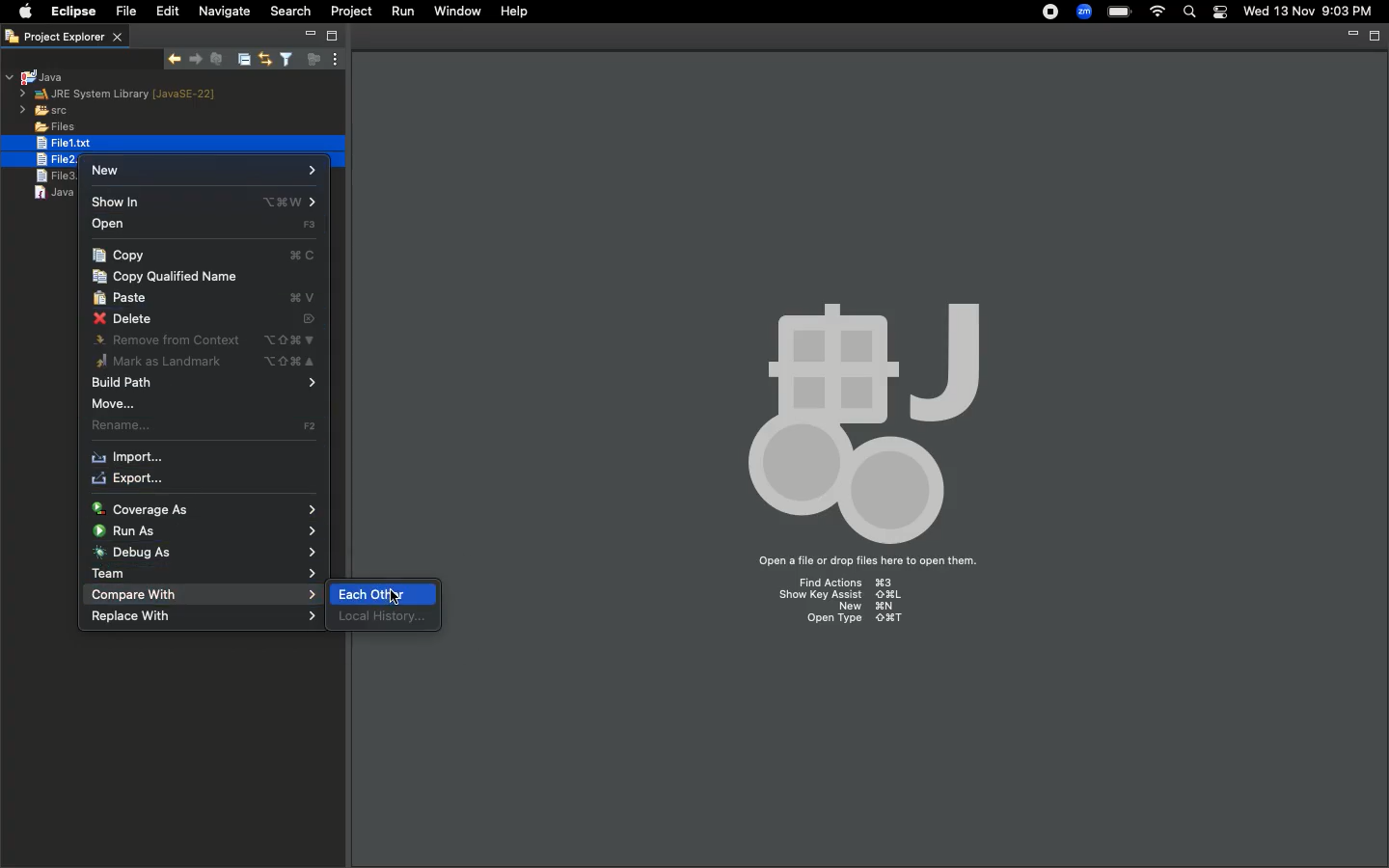  What do you see at coordinates (263, 60) in the screenshot?
I see `Link with editor` at bounding box center [263, 60].